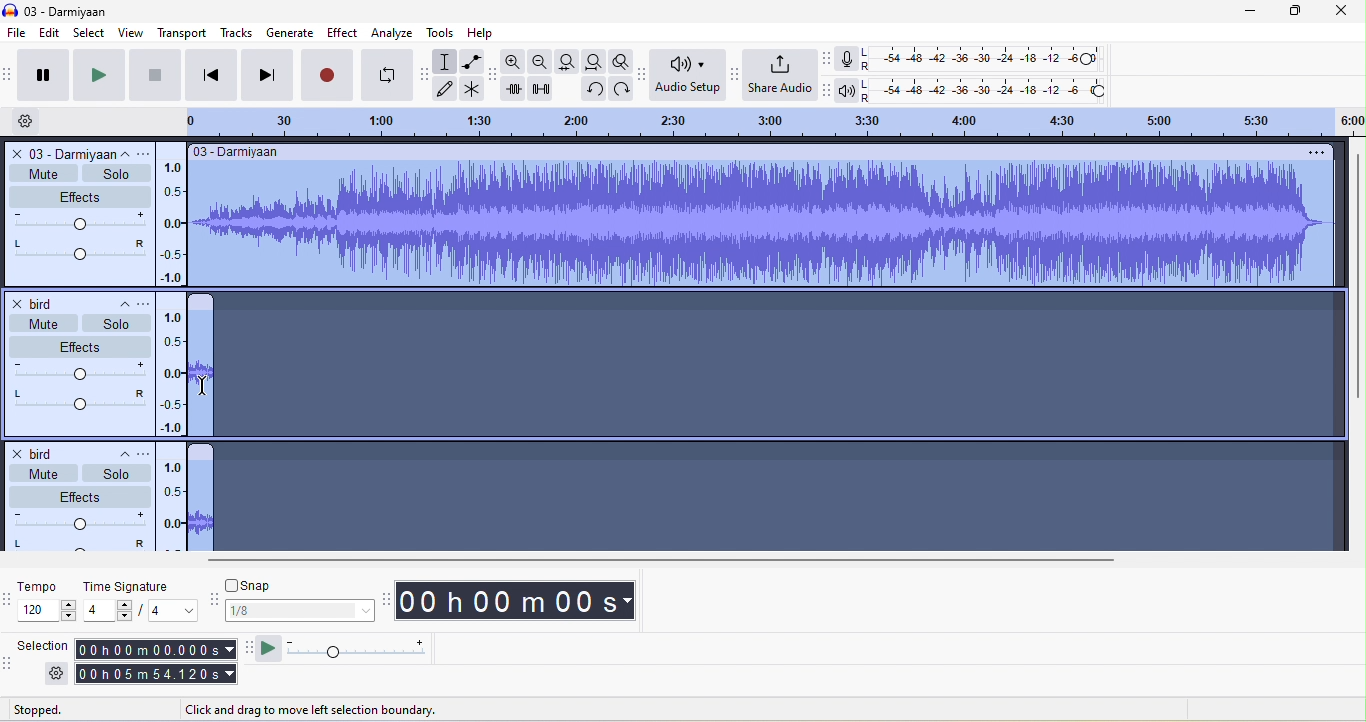 This screenshot has width=1366, height=722. I want to click on bird, so click(43, 451).